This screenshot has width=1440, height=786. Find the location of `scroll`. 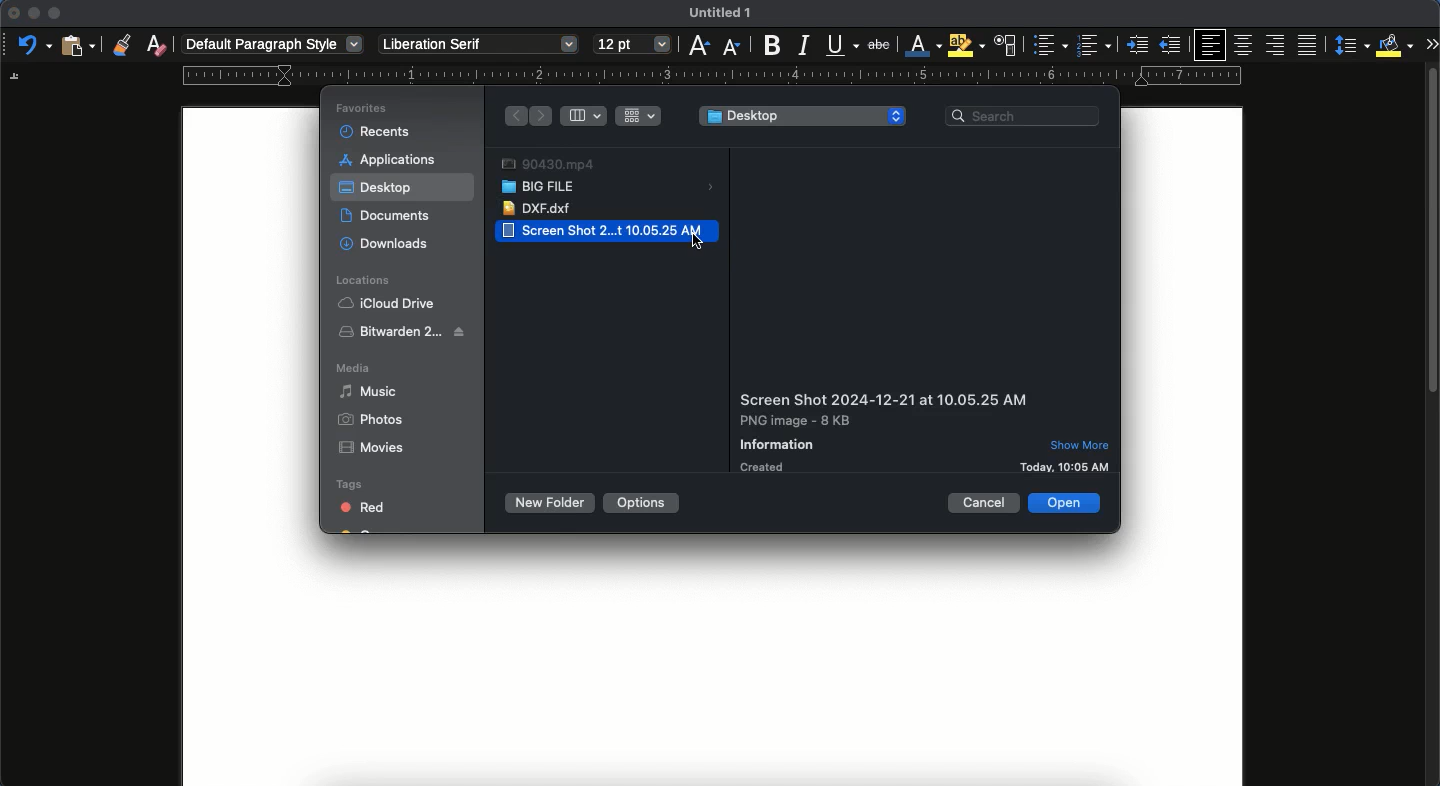

scroll is located at coordinates (1433, 429).